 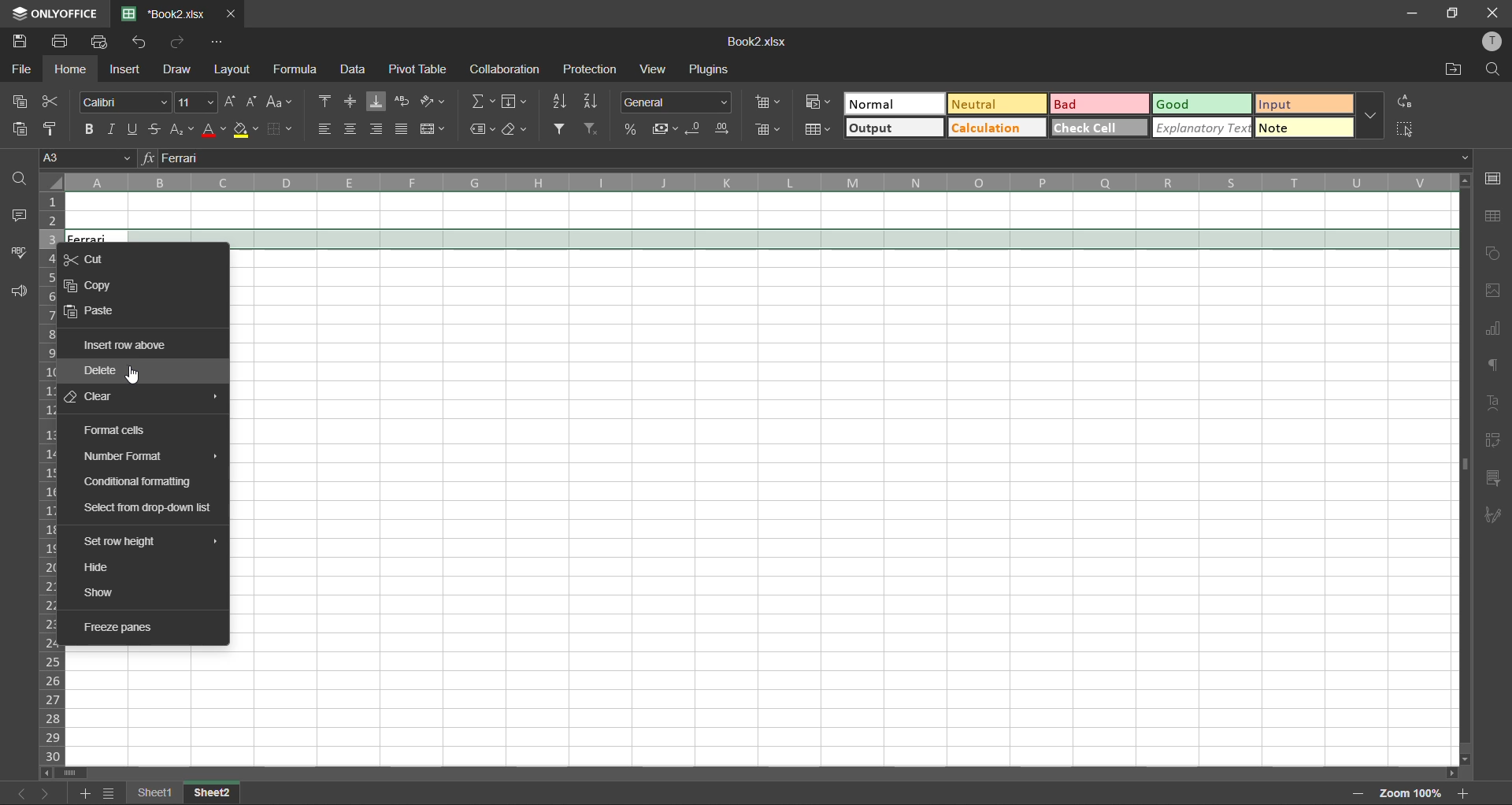 I want to click on file, so click(x=23, y=69).